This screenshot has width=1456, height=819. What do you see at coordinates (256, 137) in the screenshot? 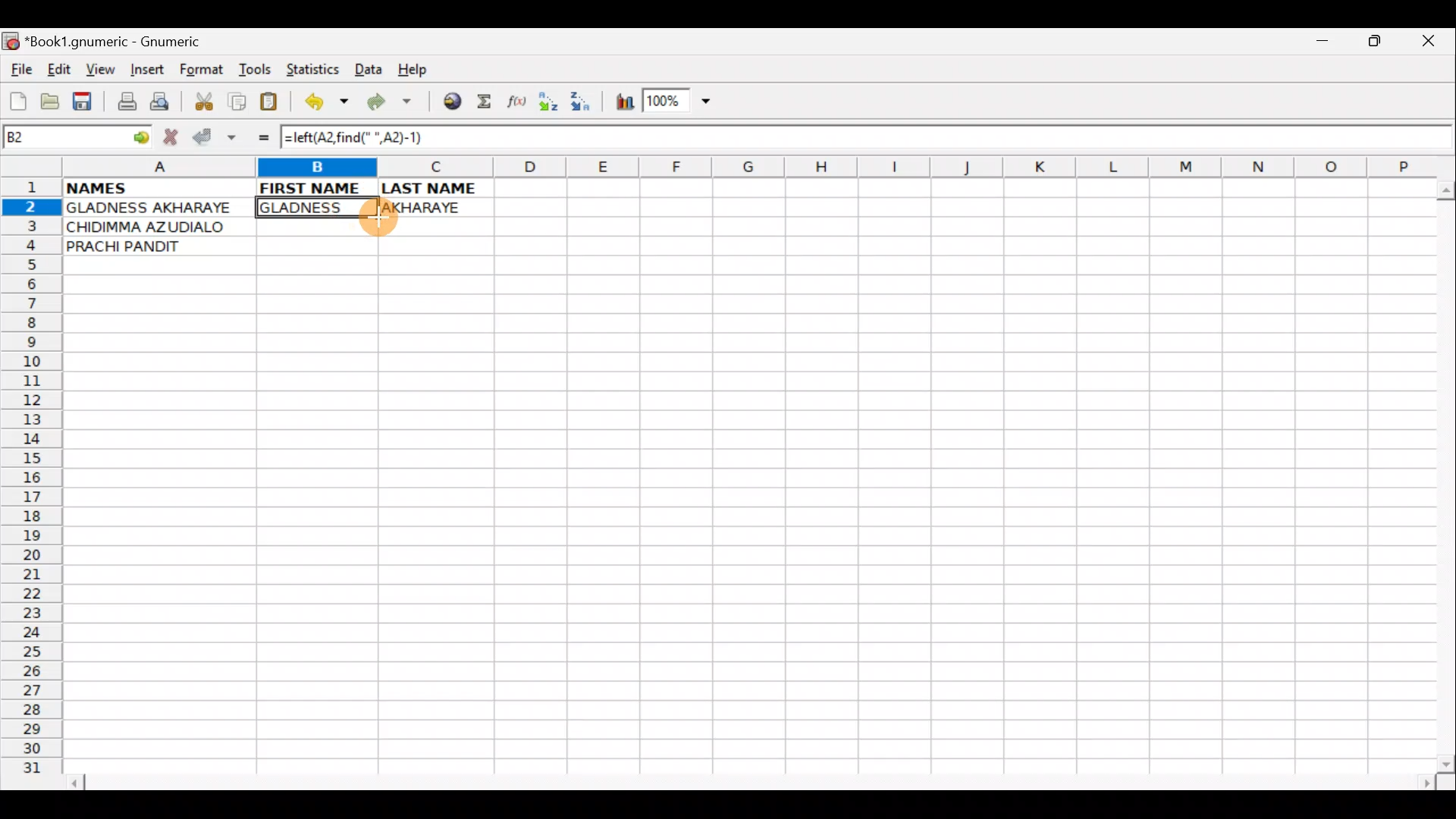
I see `Enter formula` at bounding box center [256, 137].